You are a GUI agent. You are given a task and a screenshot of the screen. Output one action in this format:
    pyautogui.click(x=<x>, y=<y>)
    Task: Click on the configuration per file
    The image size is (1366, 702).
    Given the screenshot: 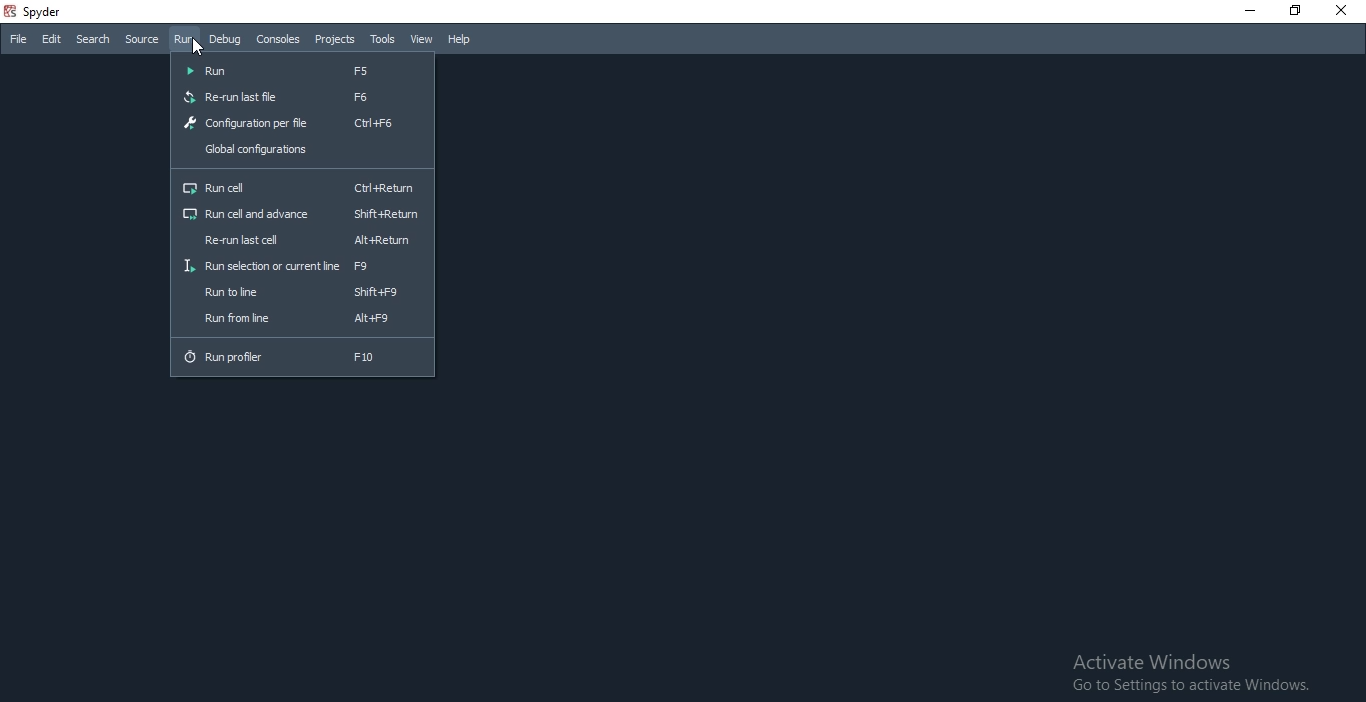 What is the action you would take?
    pyautogui.click(x=299, y=123)
    